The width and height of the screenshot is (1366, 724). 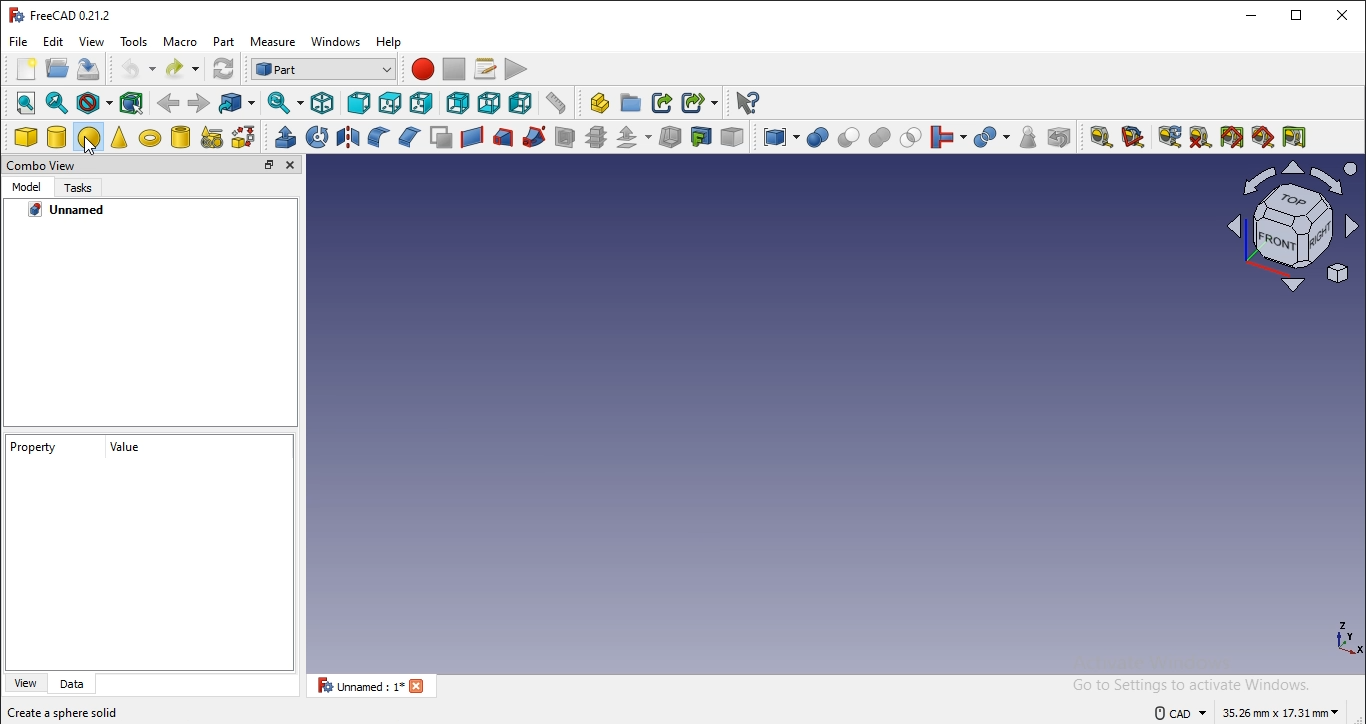 What do you see at coordinates (223, 68) in the screenshot?
I see `refresh` at bounding box center [223, 68].